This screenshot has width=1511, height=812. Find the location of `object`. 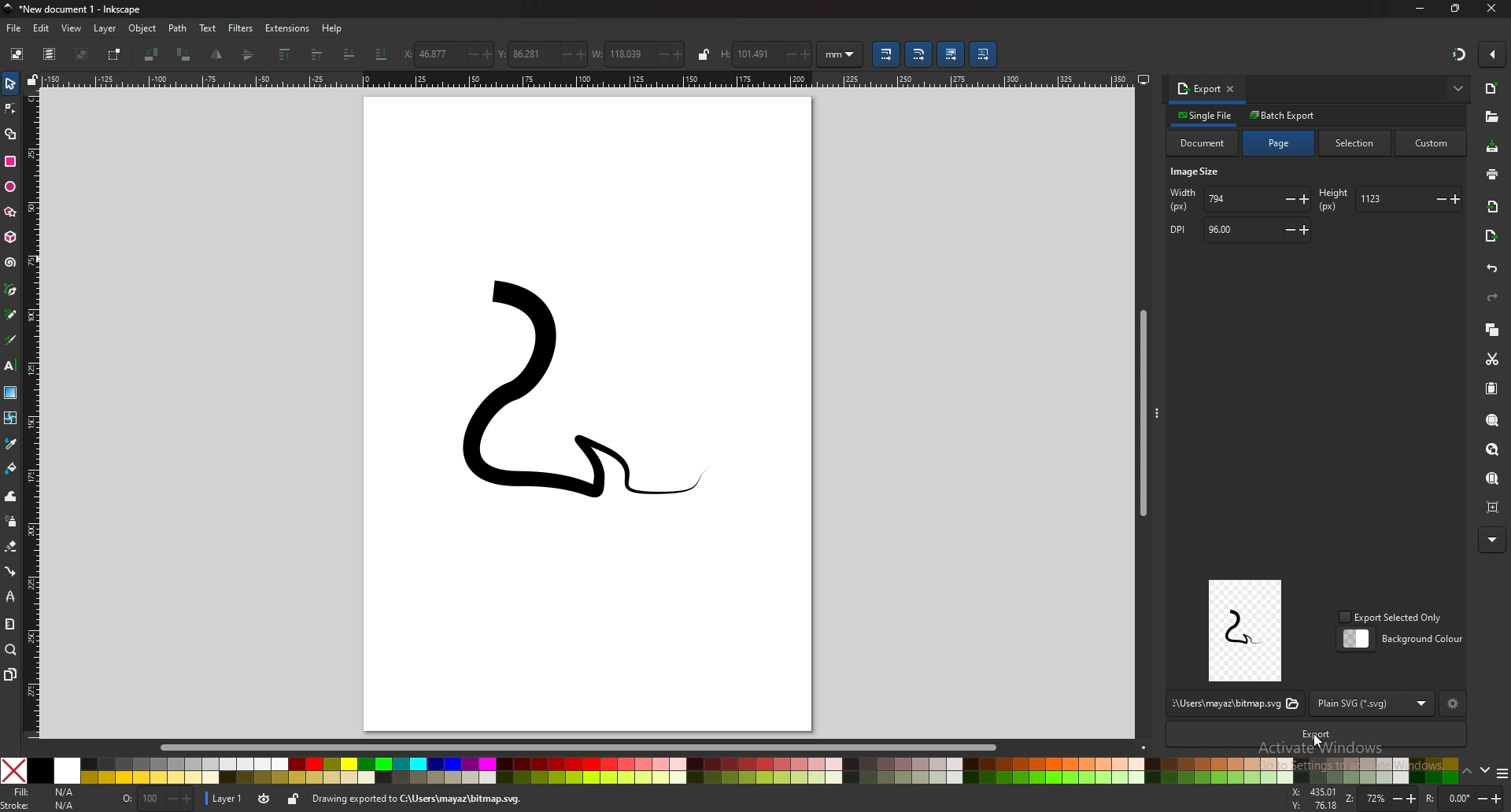

object is located at coordinates (143, 29).